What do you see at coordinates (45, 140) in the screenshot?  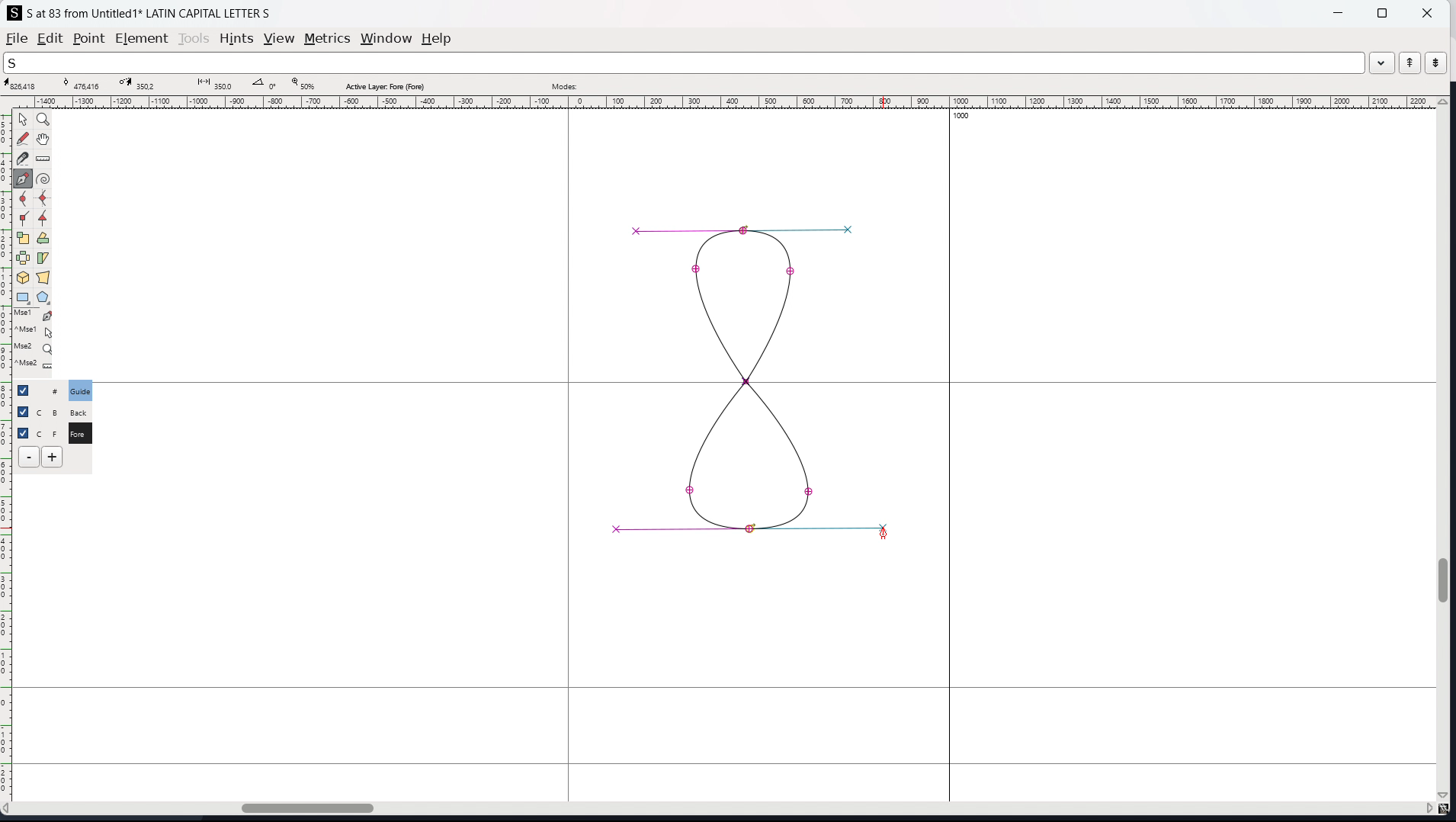 I see `scroll by hand` at bounding box center [45, 140].